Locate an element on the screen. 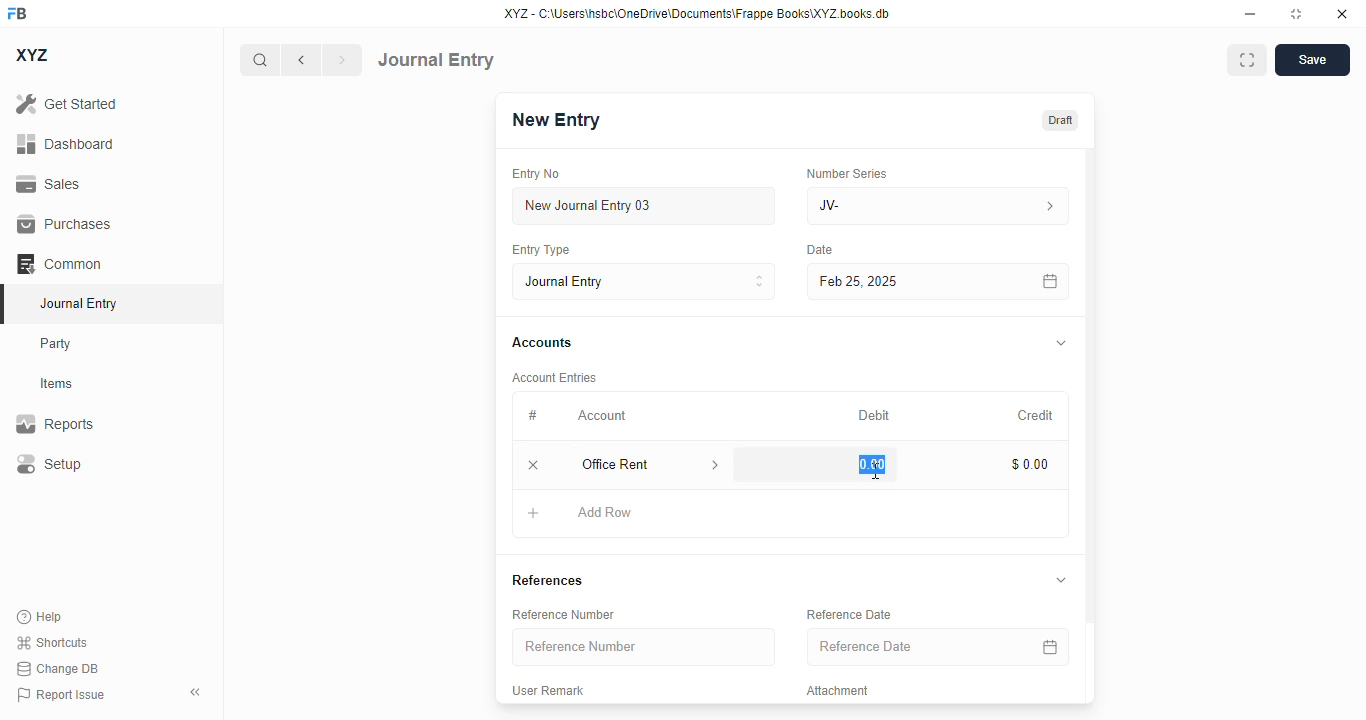  sales is located at coordinates (51, 185).